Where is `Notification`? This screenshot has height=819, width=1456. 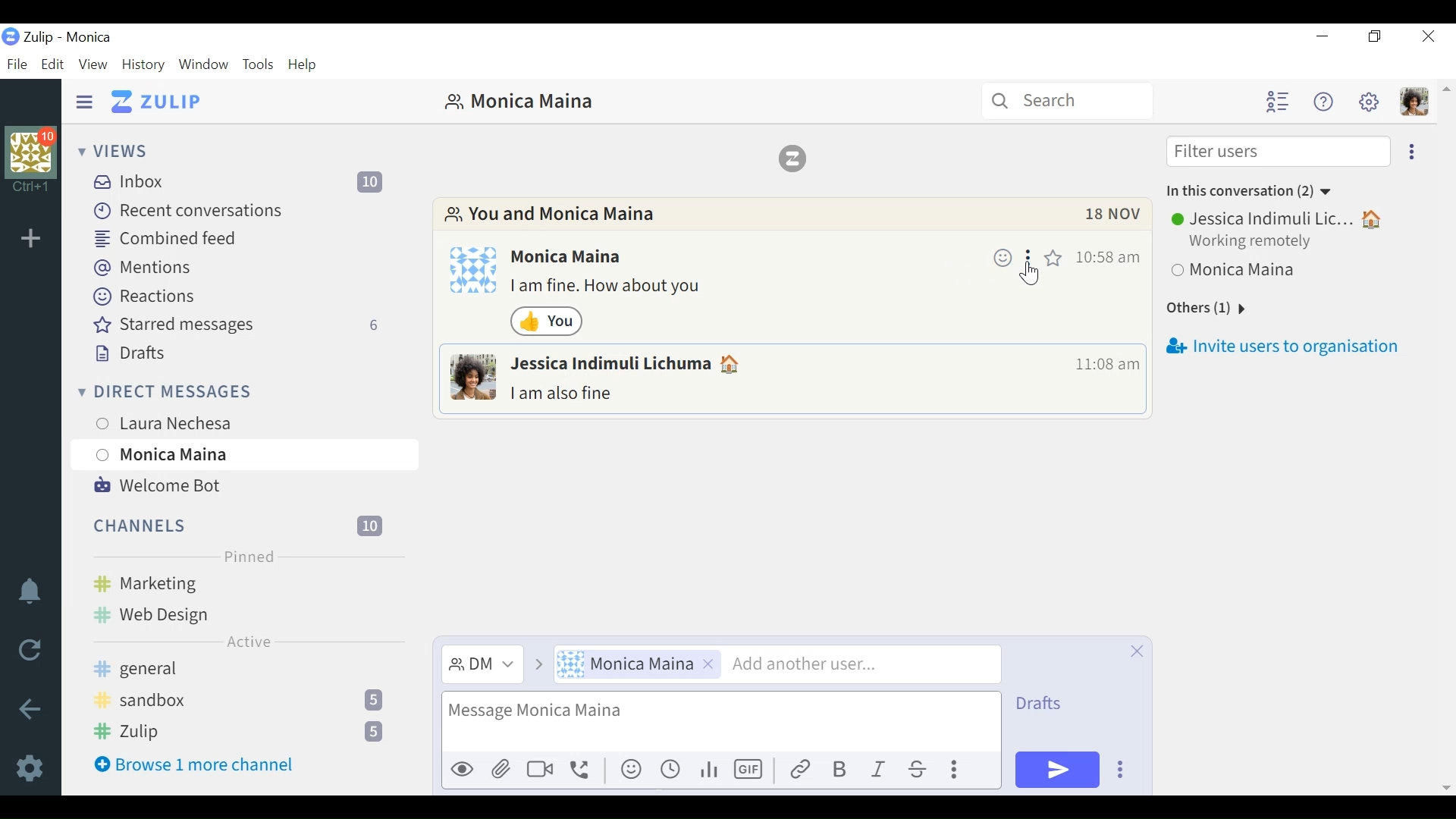 Notification is located at coordinates (28, 592).